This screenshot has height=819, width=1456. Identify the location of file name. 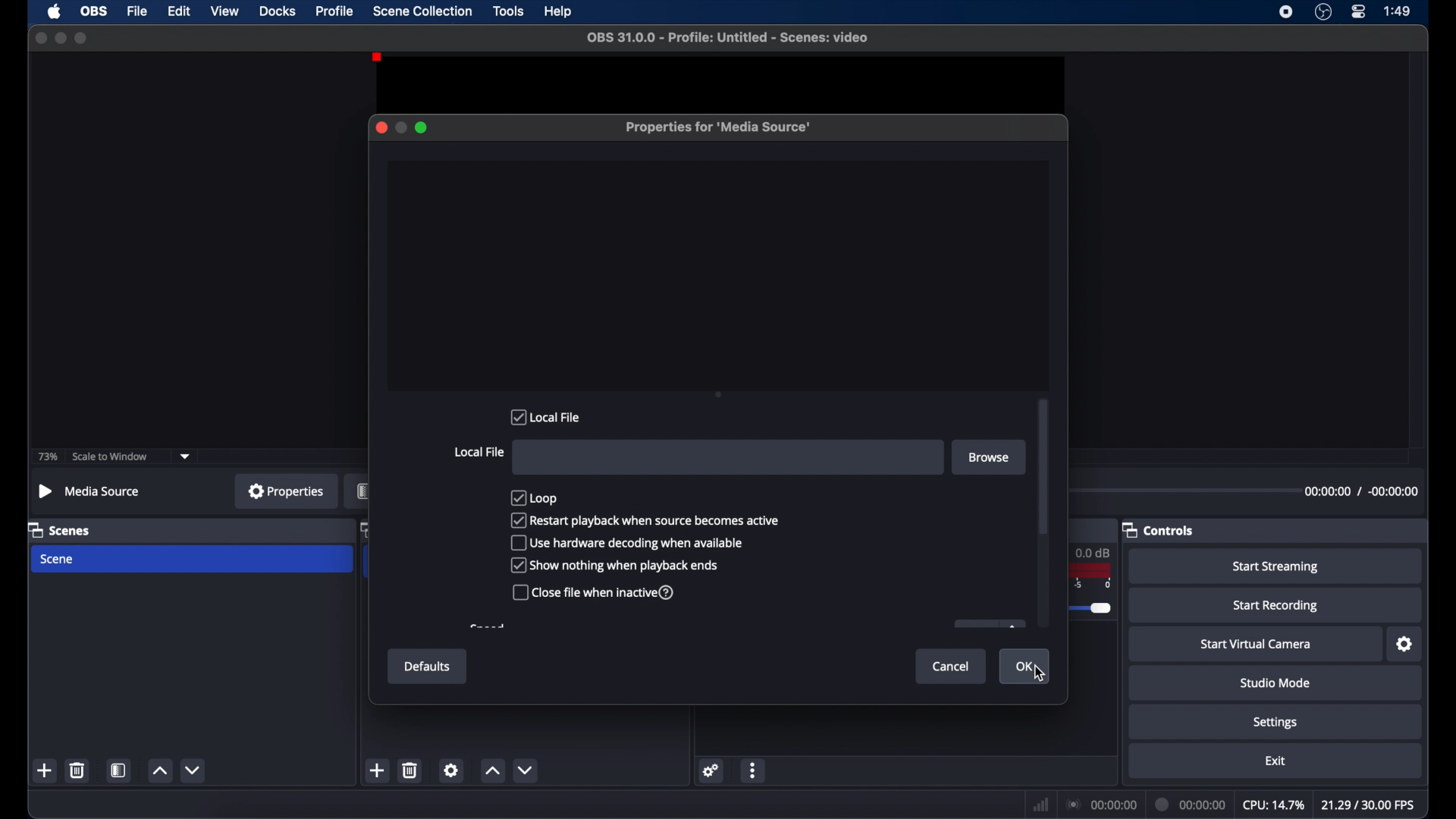
(728, 38).